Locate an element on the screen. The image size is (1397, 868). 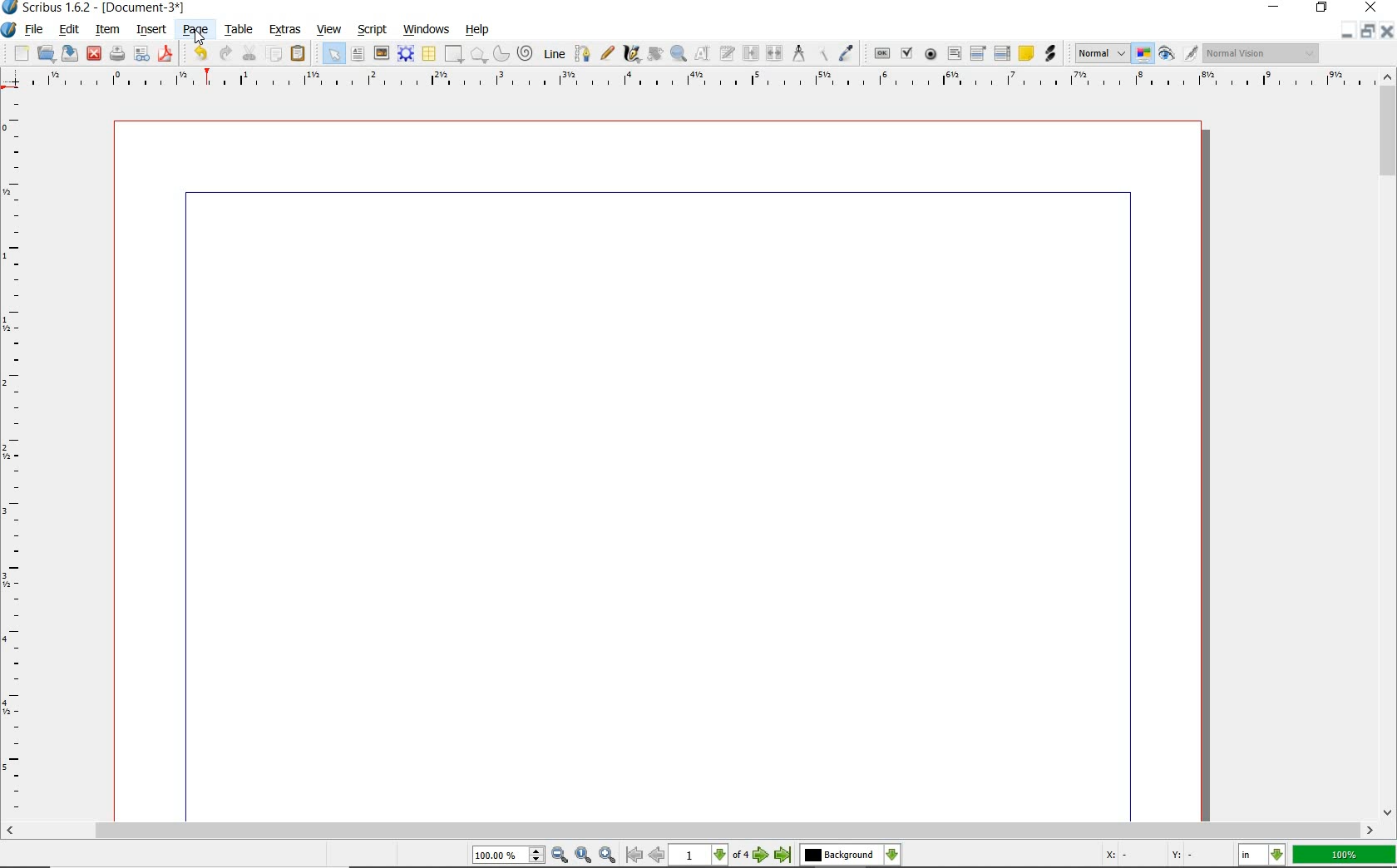
shape is located at coordinates (452, 55).